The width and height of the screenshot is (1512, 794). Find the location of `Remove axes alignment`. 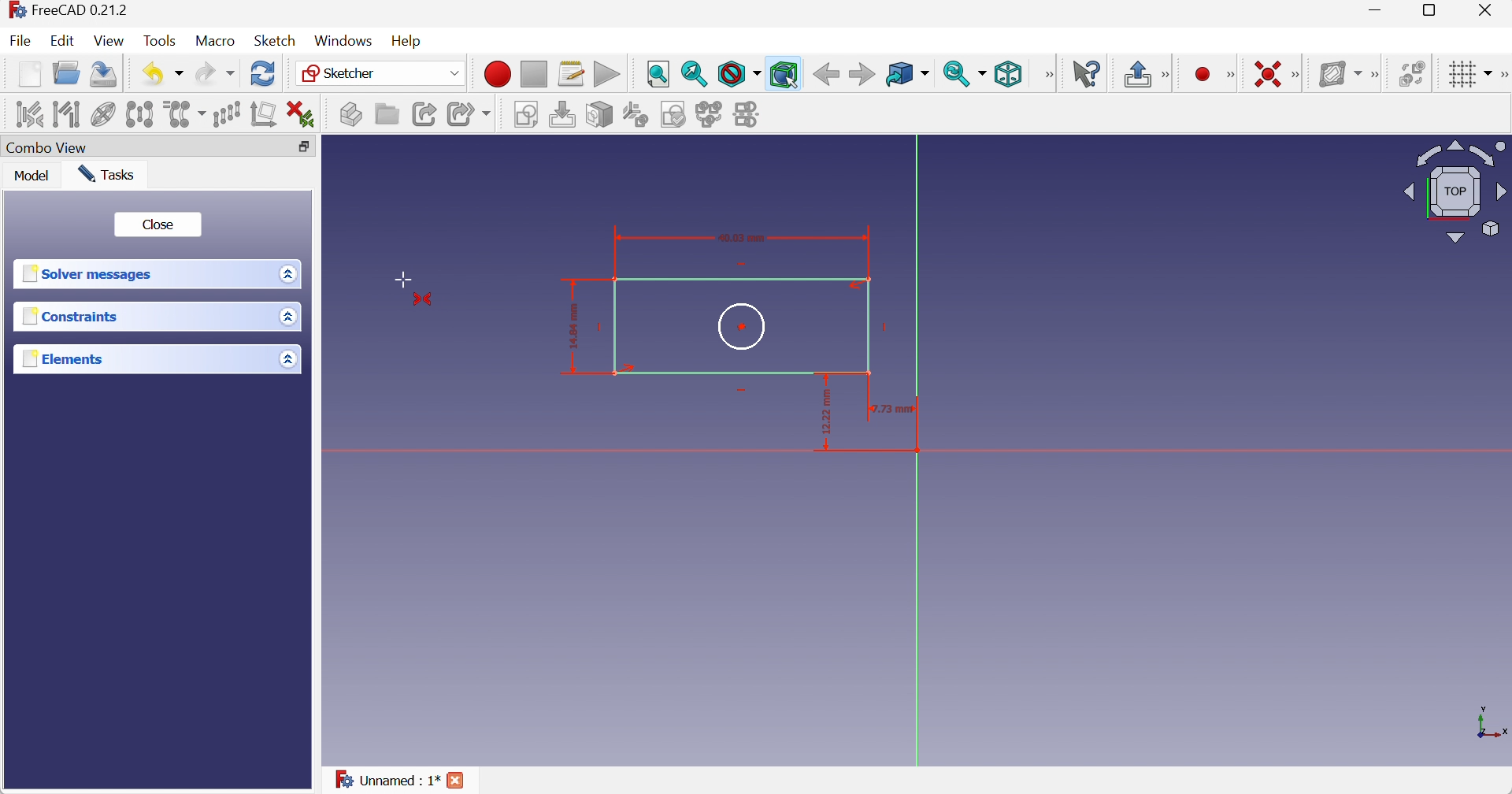

Remove axes alignment is located at coordinates (264, 114).